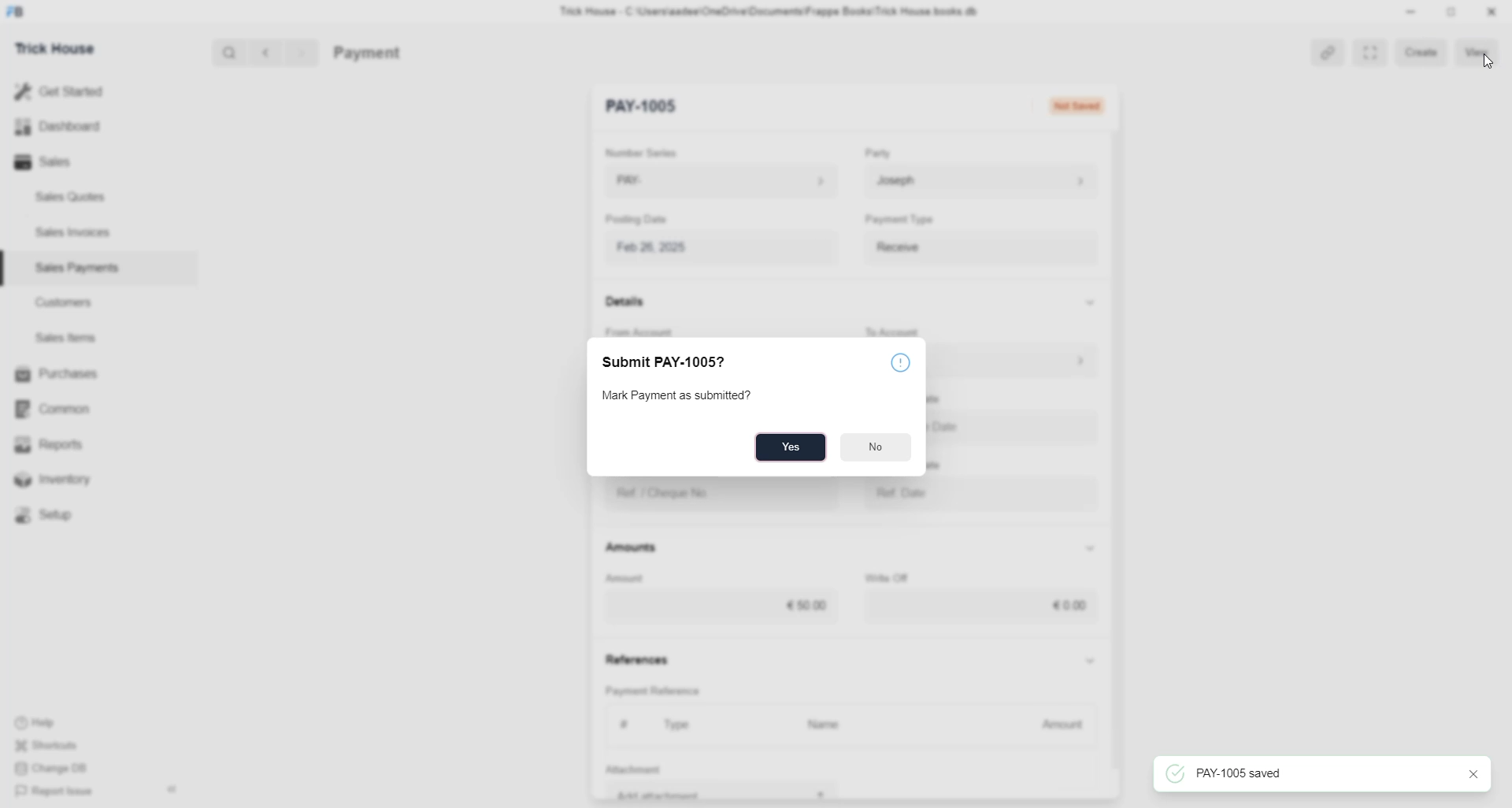  What do you see at coordinates (636, 657) in the screenshot?
I see `References` at bounding box center [636, 657].